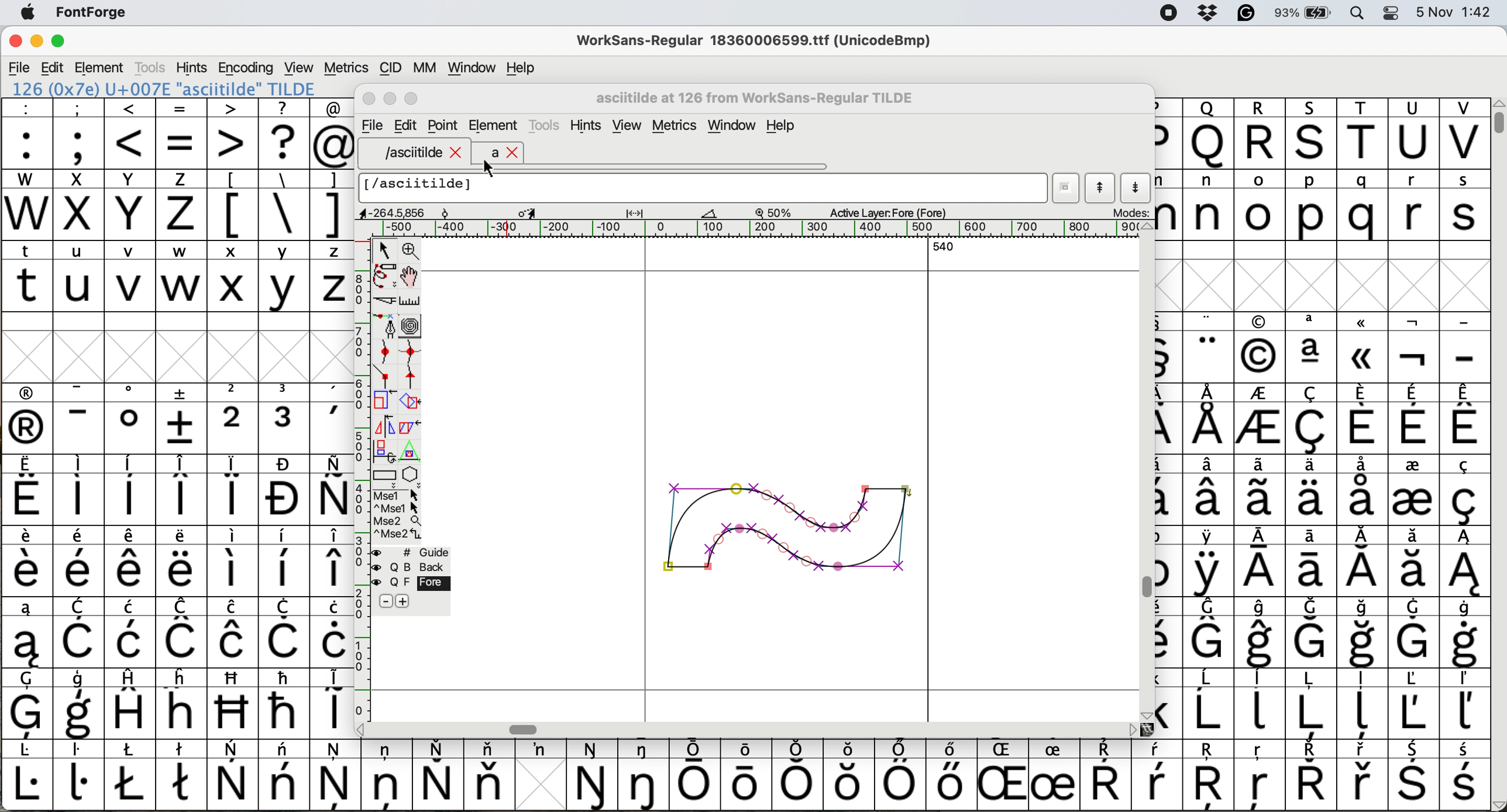 Image resolution: width=1507 pixels, height=812 pixels. I want to click on file, so click(370, 126).